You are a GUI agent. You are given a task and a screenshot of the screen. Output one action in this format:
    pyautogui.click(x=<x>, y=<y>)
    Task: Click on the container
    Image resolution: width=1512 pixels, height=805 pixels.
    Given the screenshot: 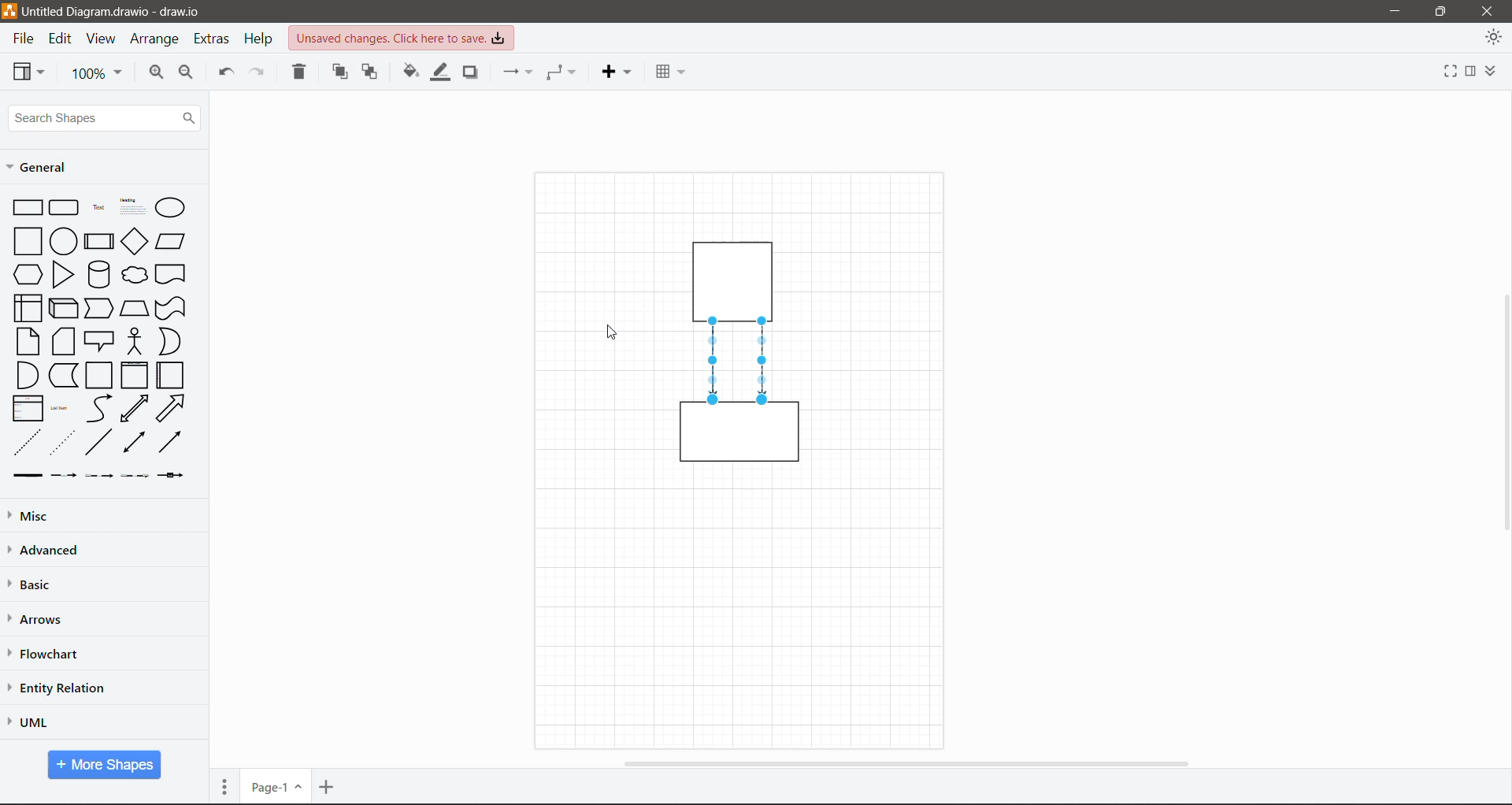 What is the action you would take?
    pyautogui.click(x=737, y=278)
    